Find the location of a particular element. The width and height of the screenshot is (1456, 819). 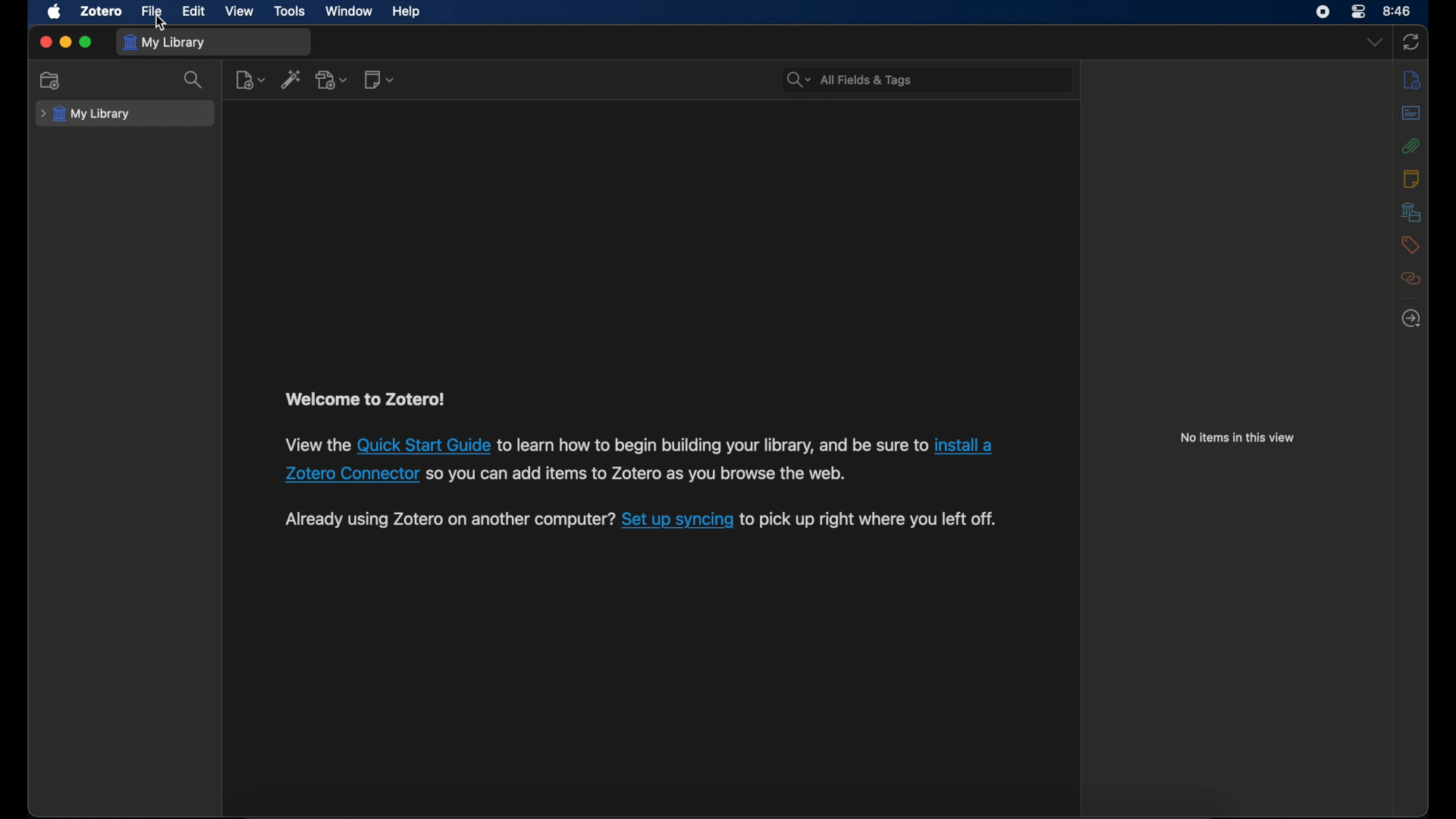

time is located at coordinates (1398, 10).